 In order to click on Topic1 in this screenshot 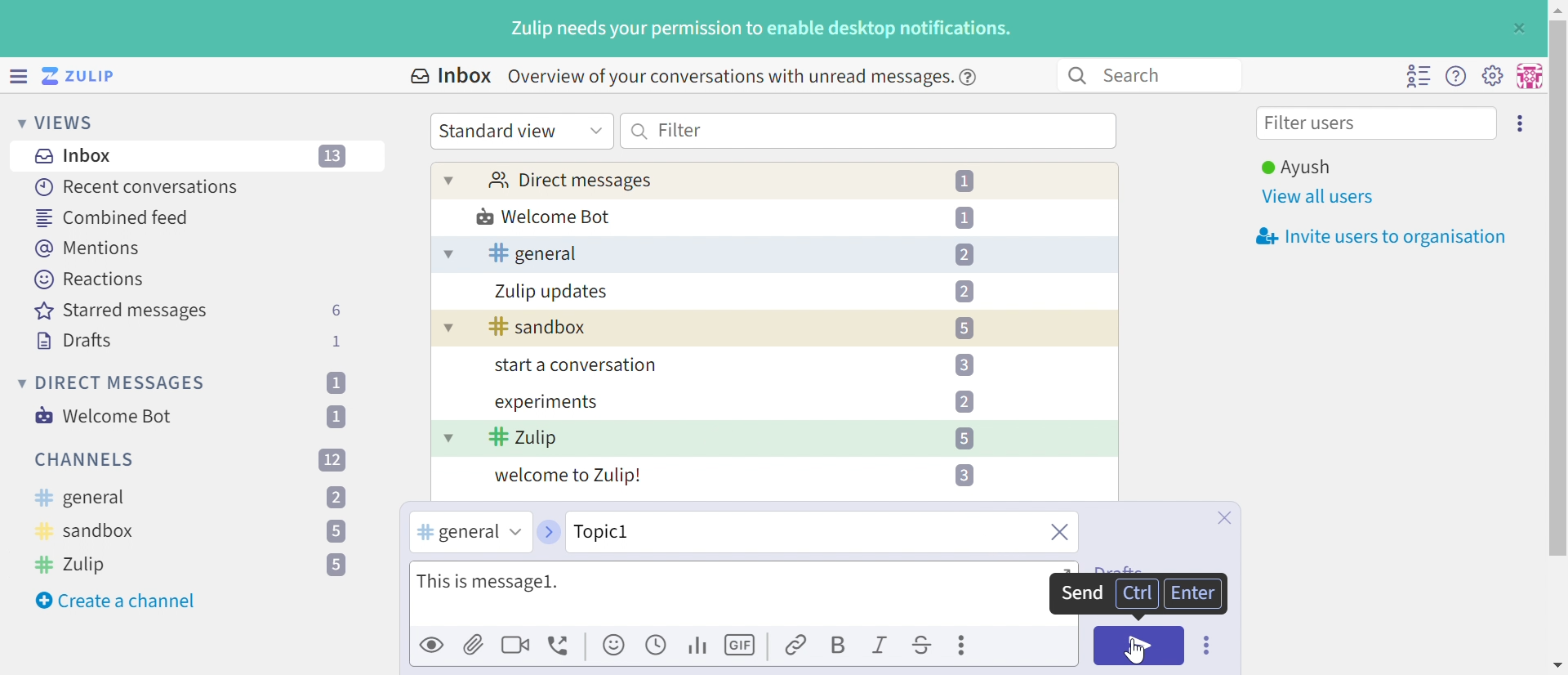, I will do `click(648, 530)`.